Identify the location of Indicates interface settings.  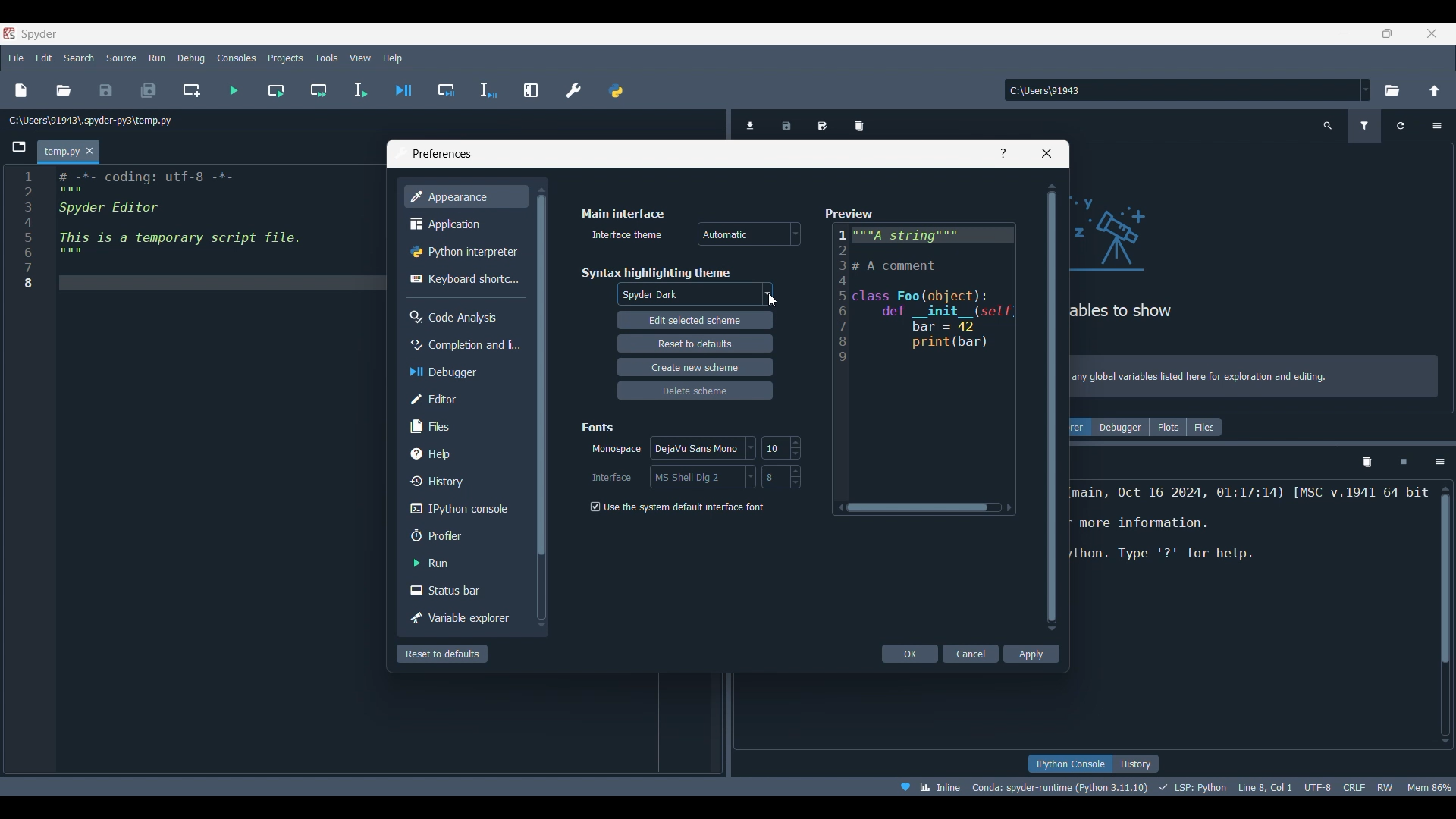
(612, 478).